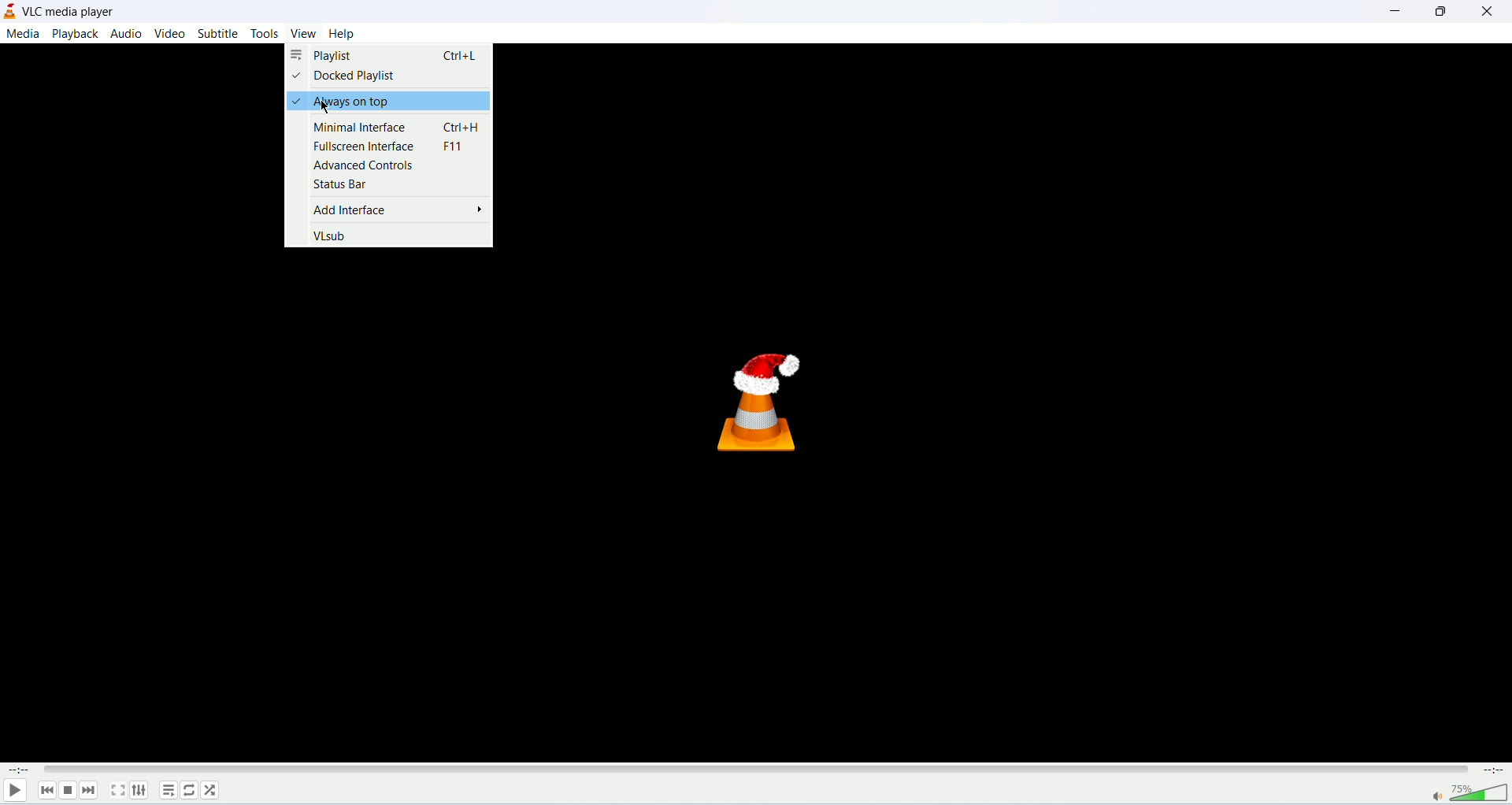 Image resolution: width=1512 pixels, height=805 pixels. Describe the element at coordinates (347, 77) in the screenshot. I see `docked playlist` at that location.